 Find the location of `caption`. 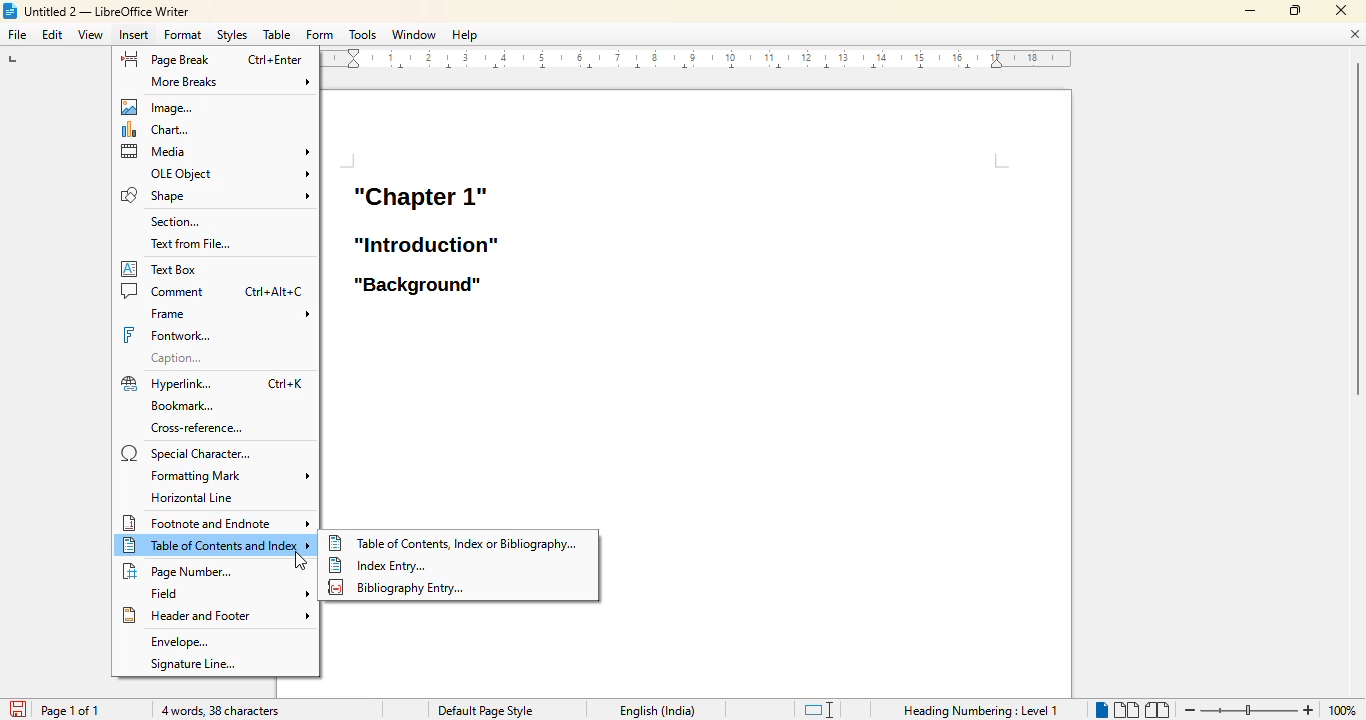

caption is located at coordinates (174, 358).